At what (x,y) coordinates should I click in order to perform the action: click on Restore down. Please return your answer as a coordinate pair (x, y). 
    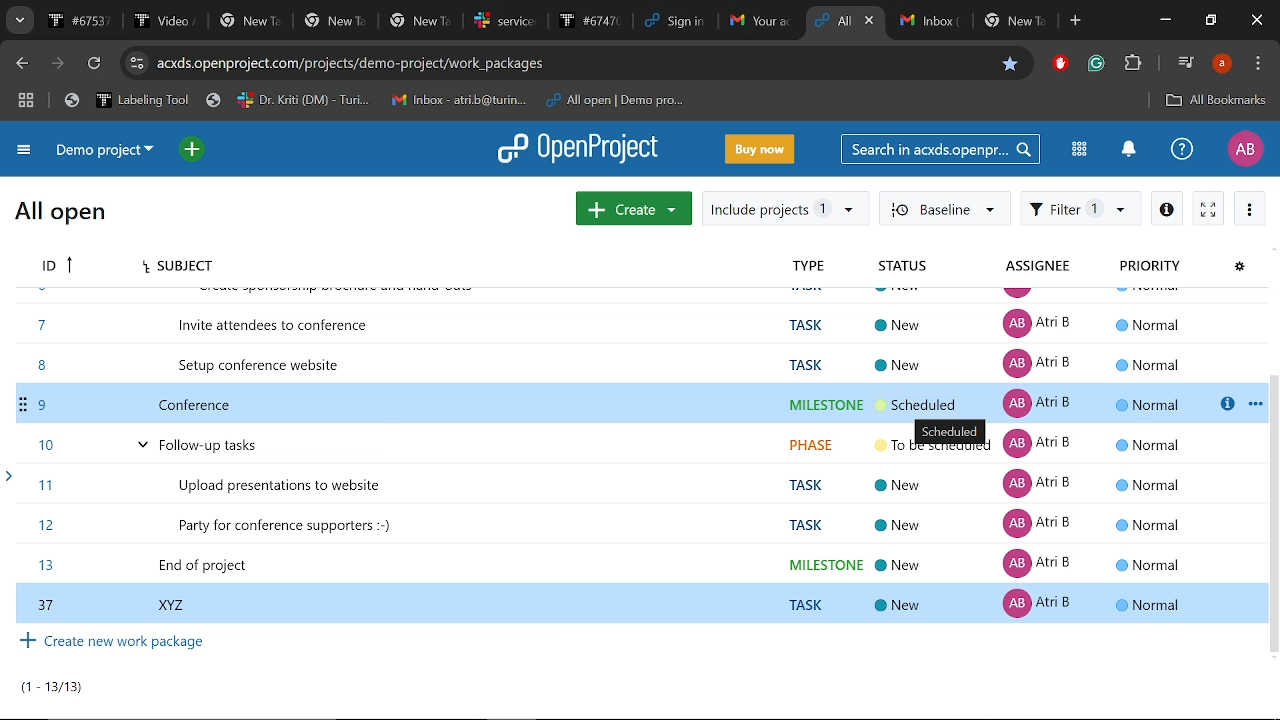
    Looking at the image, I should click on (1212, 21).